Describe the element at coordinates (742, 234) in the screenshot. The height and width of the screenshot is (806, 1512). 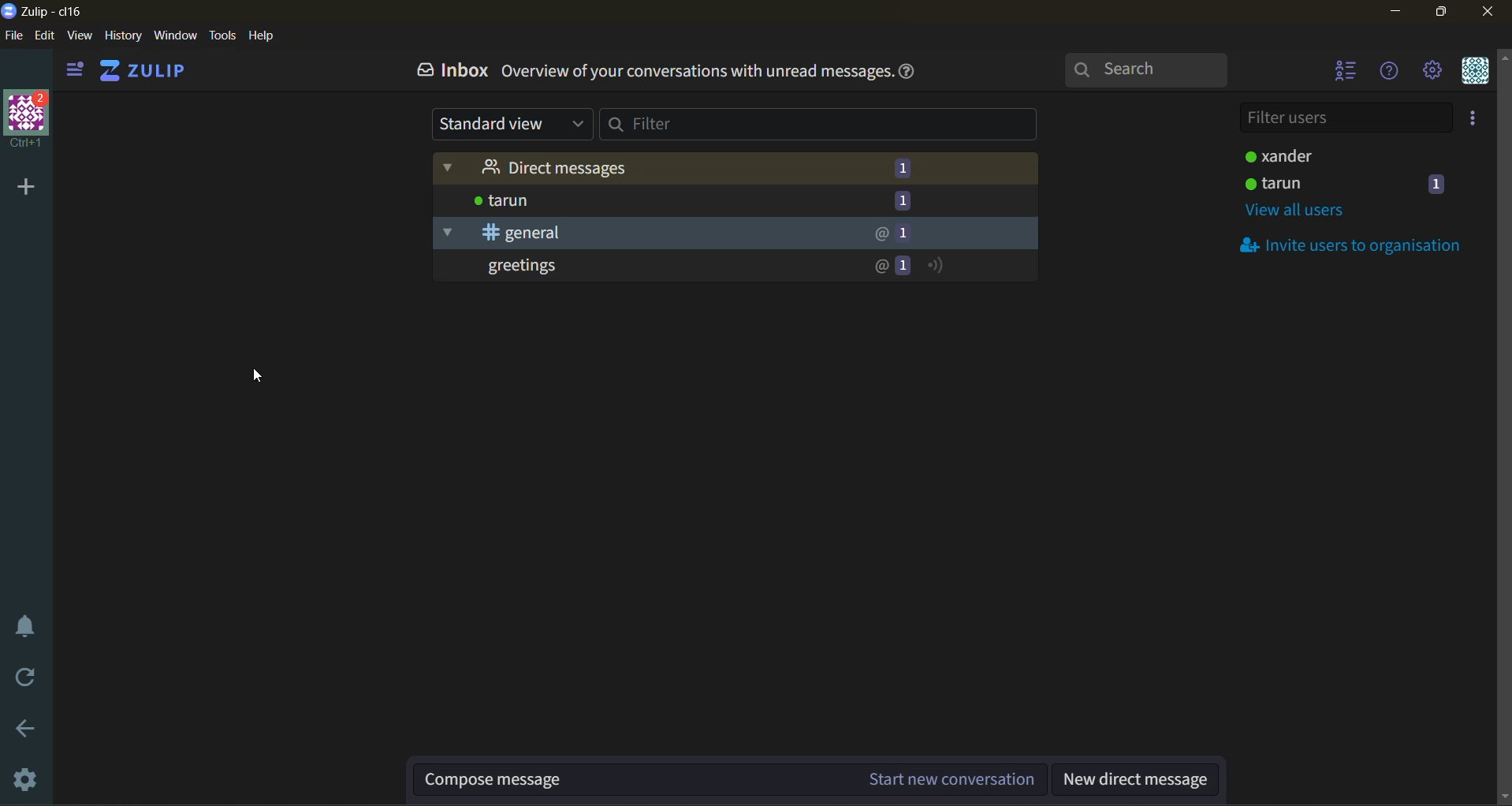
I see `general` at that location.